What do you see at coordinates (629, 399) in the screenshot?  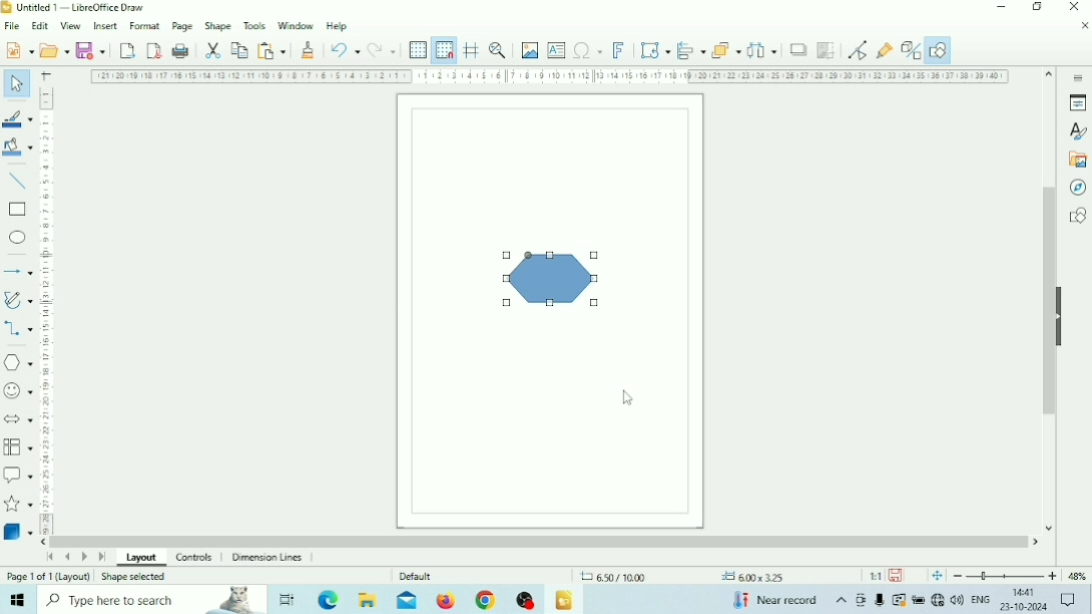 I see `Cursor` at bounding box center [629, 399].